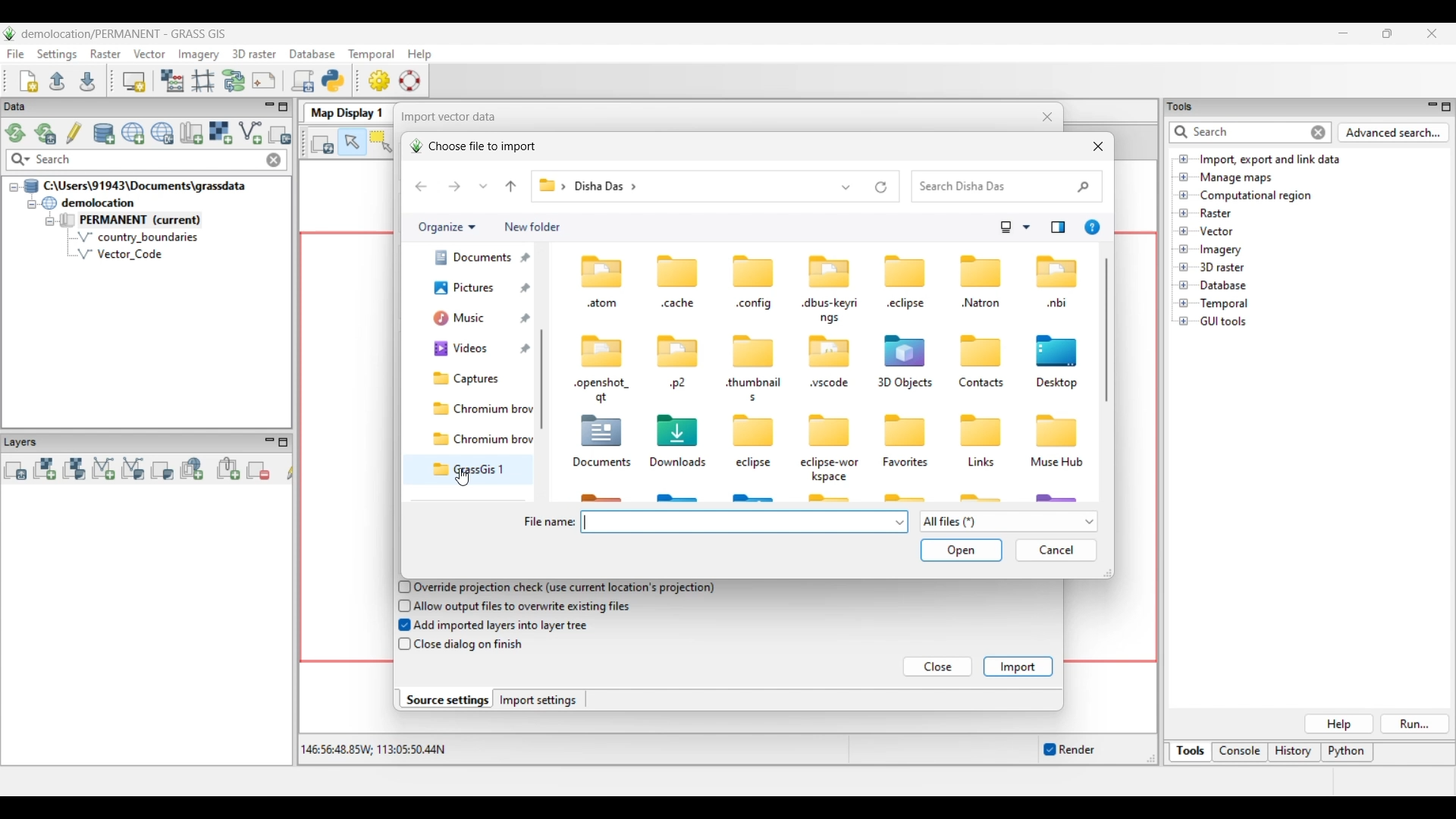 The height and width of the screenshot is (819, 1456). What do you see at coordinates (380, 80) in the screenshot?
I see `GUI settings` at bounding box center [380, 80].